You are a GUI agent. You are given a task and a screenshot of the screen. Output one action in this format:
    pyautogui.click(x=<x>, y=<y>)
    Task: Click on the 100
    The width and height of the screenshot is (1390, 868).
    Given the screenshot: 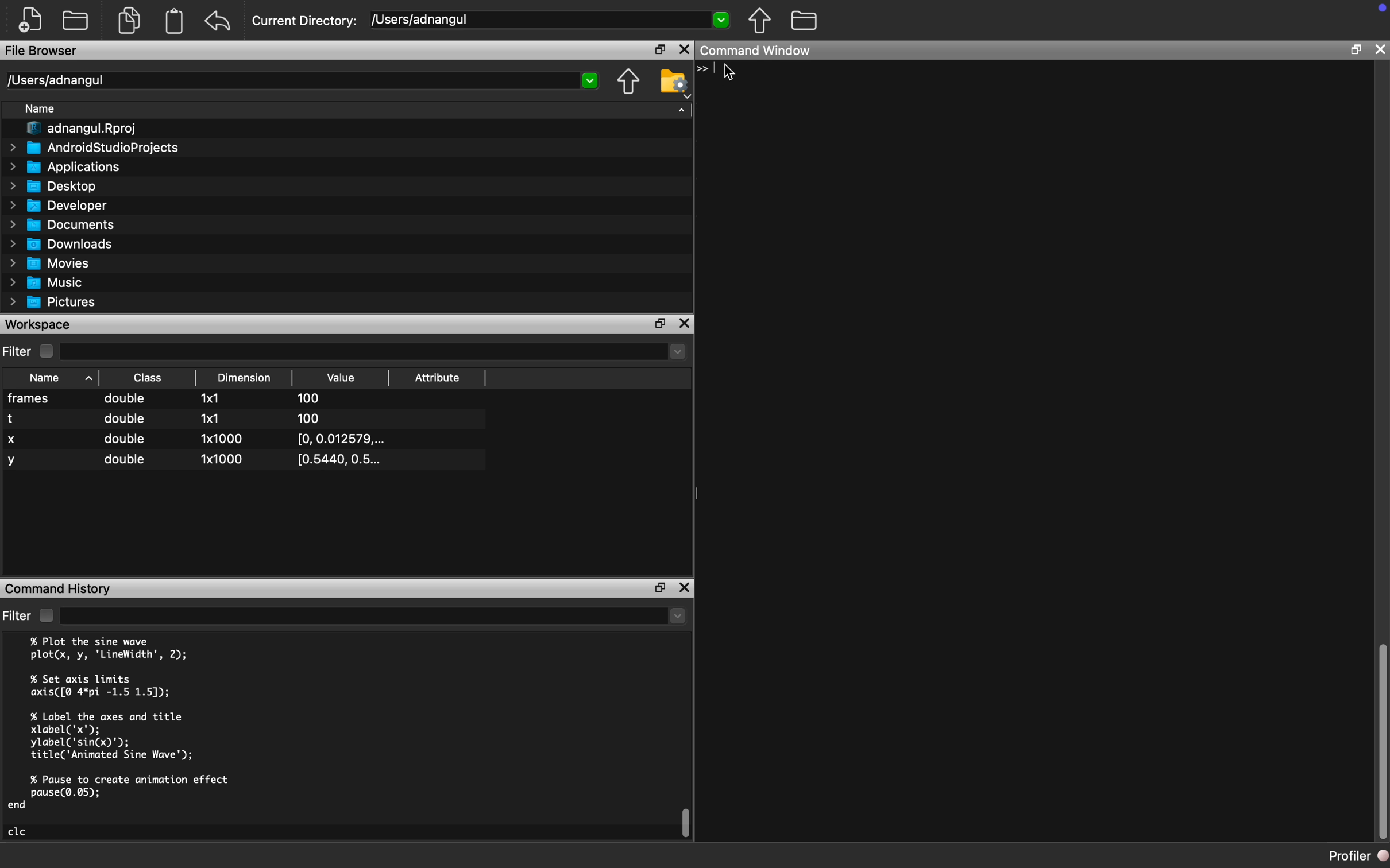 What is the action you would take?
    pyautogui.click(x=310, y=400)
    